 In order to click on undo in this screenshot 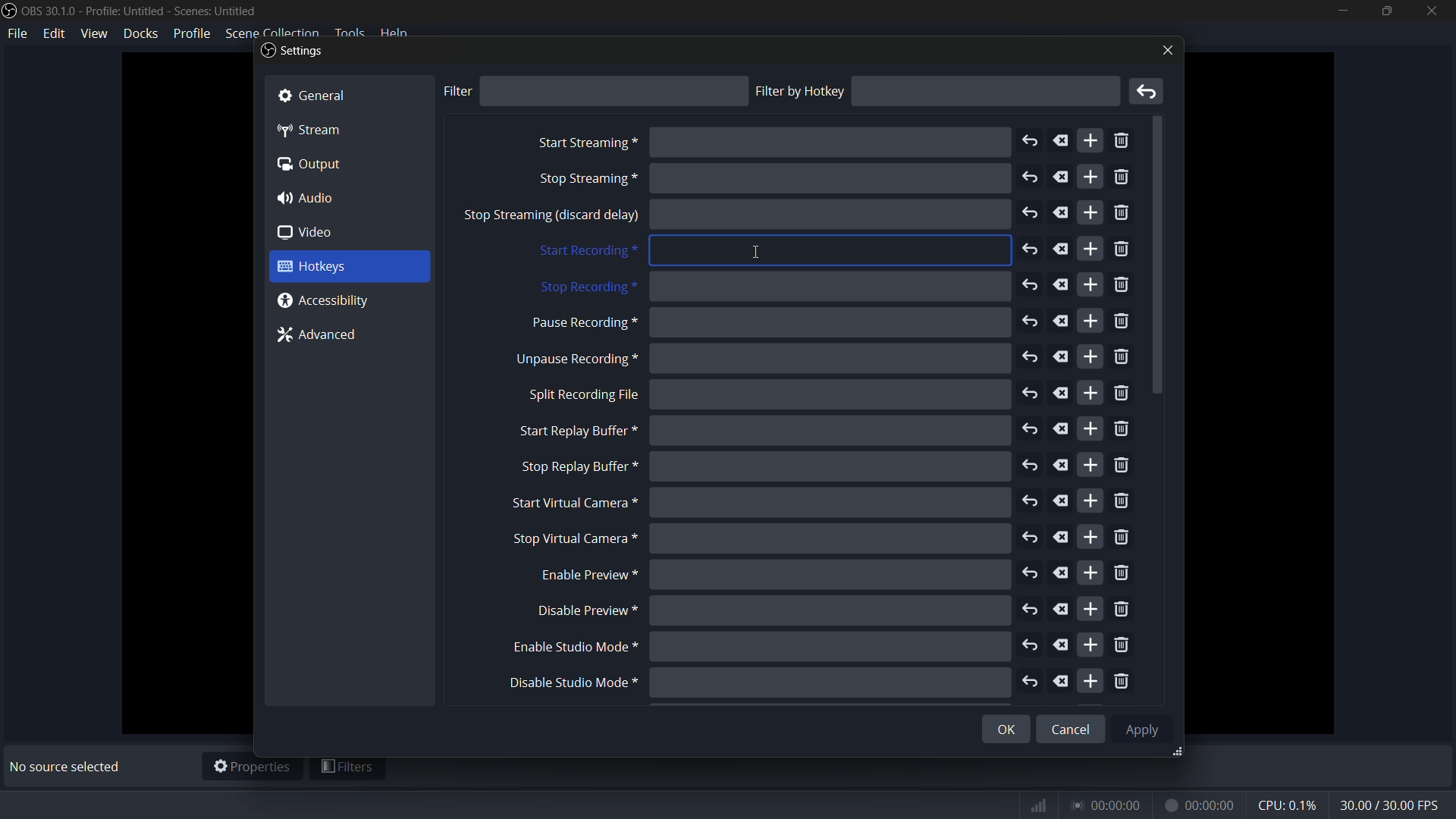, I will do `click(1030, 607)`.